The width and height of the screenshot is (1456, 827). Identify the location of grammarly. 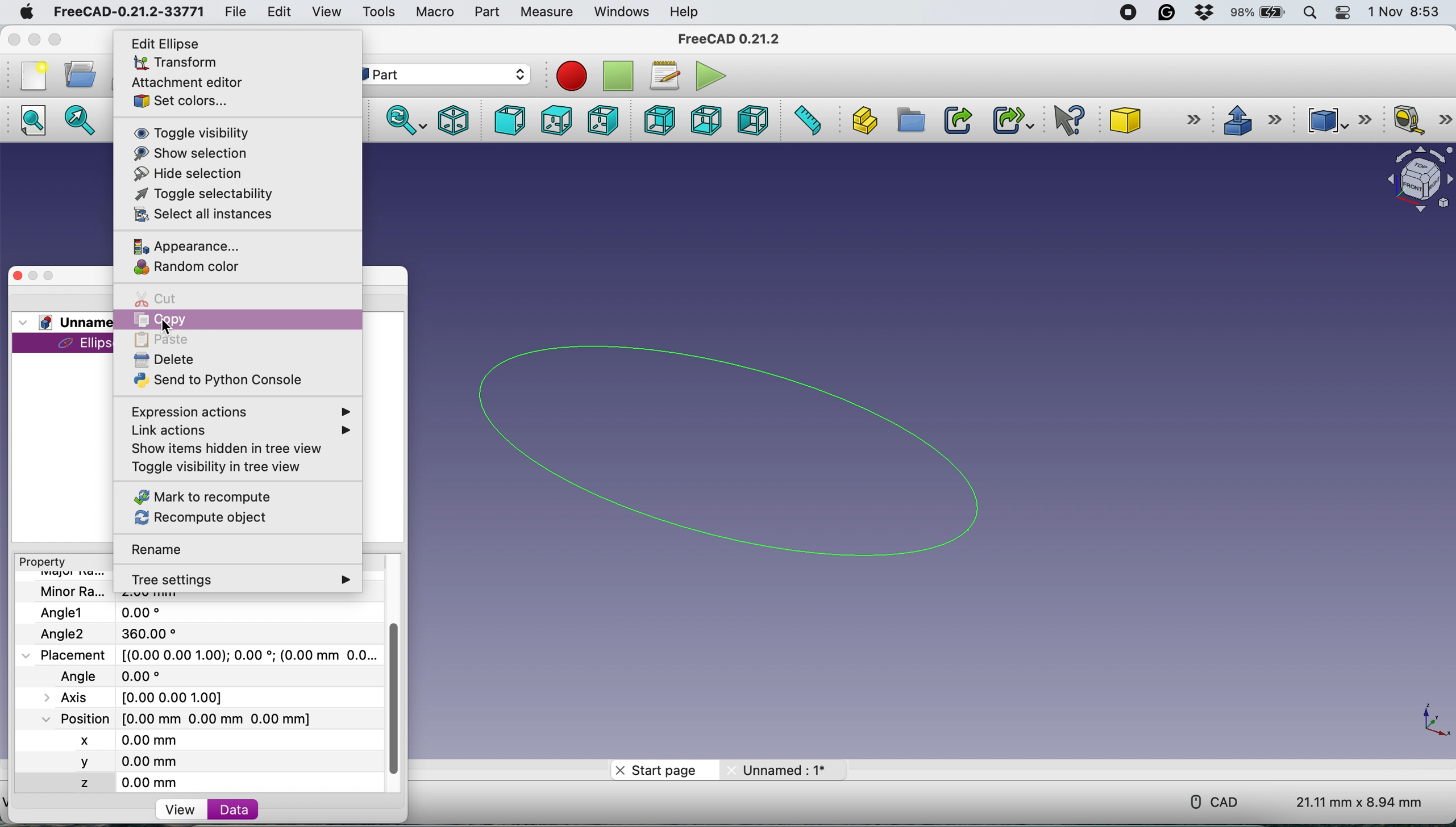
(1168, 12).